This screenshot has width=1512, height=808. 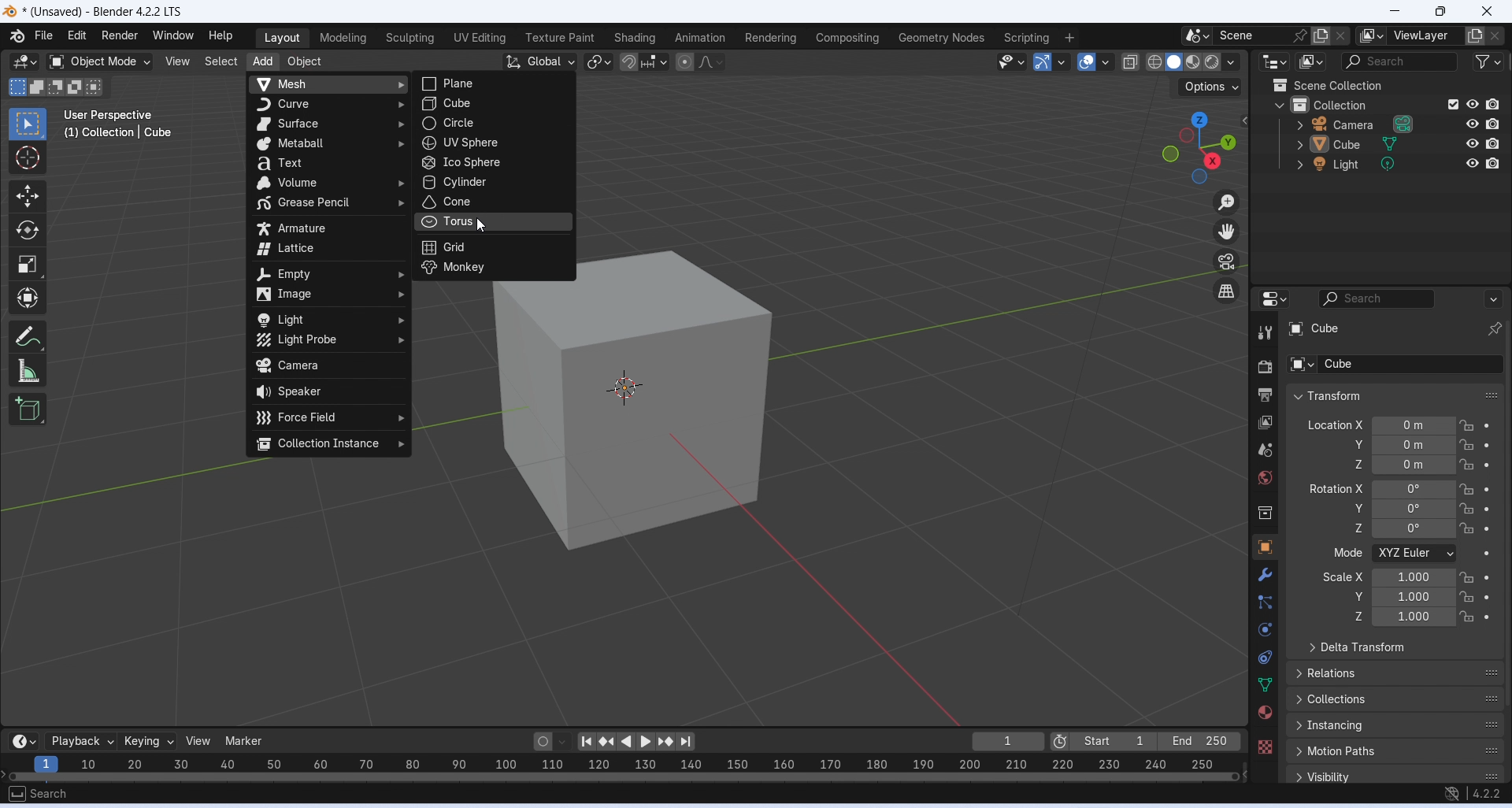 What do you see at coordinates (1311, 62) in the screenshot?
I see `Display mode` at bounding box center [1311, 62].